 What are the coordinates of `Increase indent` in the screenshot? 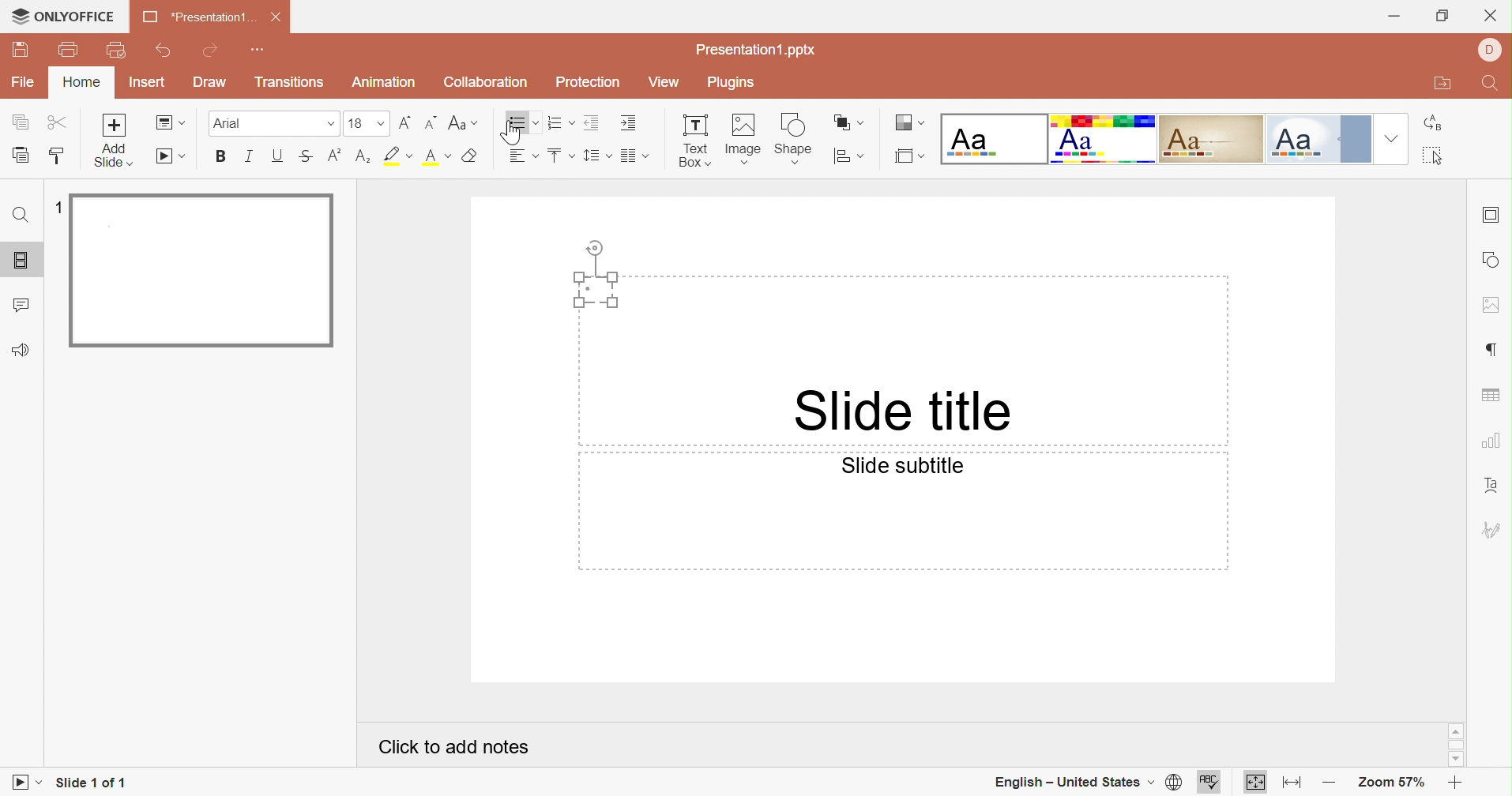 It's located at (629, 123).